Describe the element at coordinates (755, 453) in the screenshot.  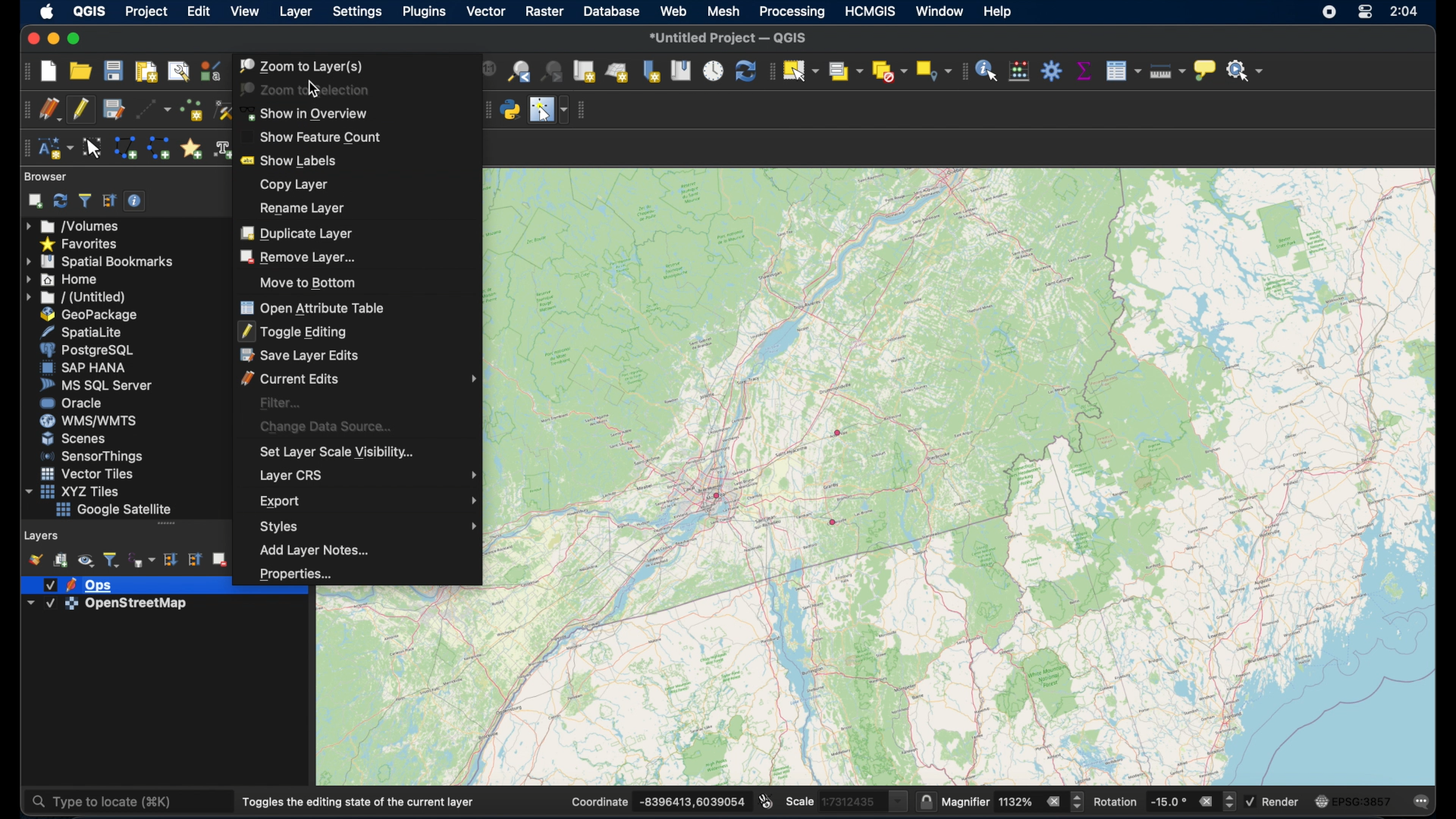
I see `open street map` at that location.